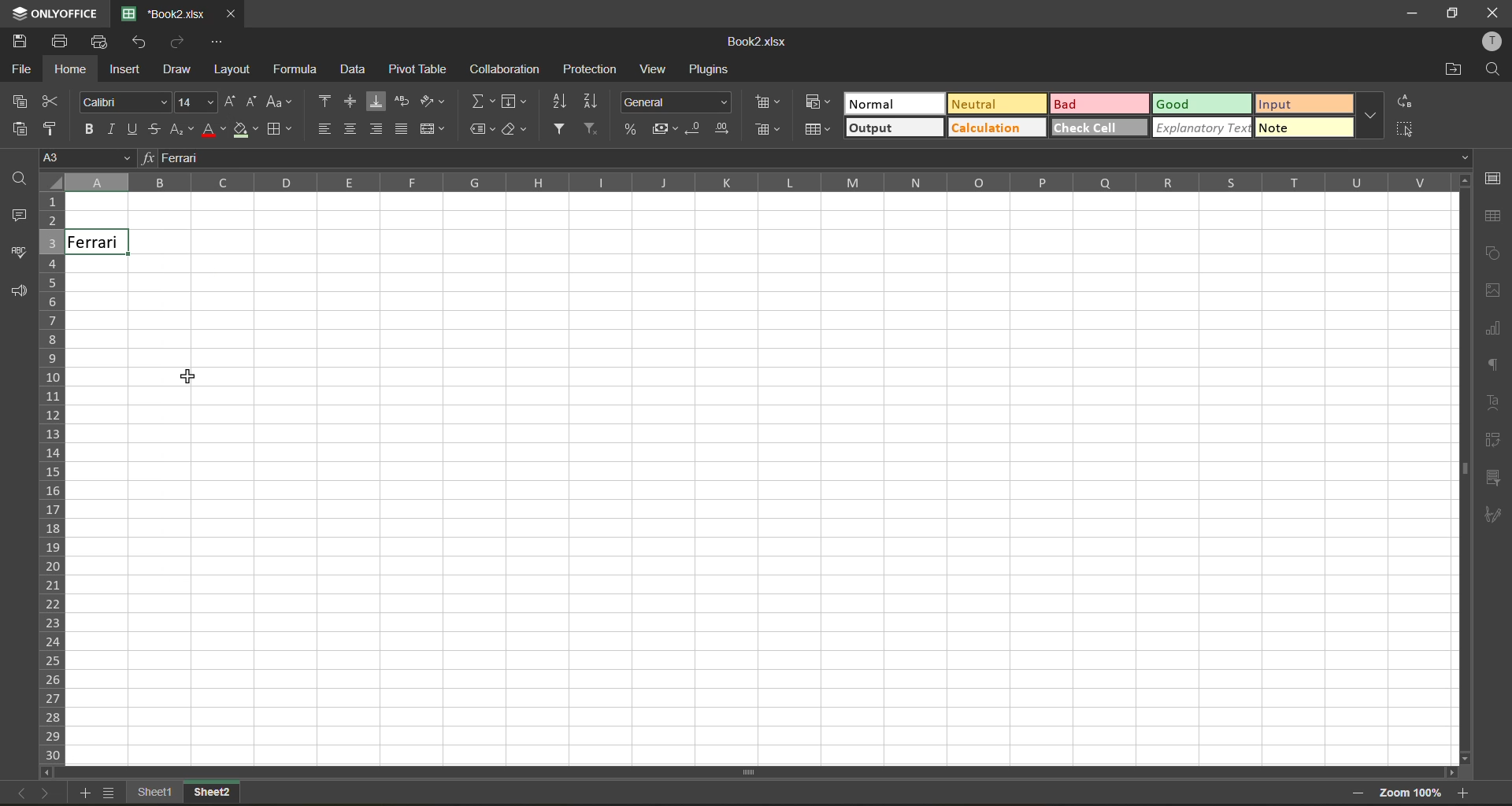 This screenshot has height=806, width=1512. I want to click on clear, so click(516, 131).